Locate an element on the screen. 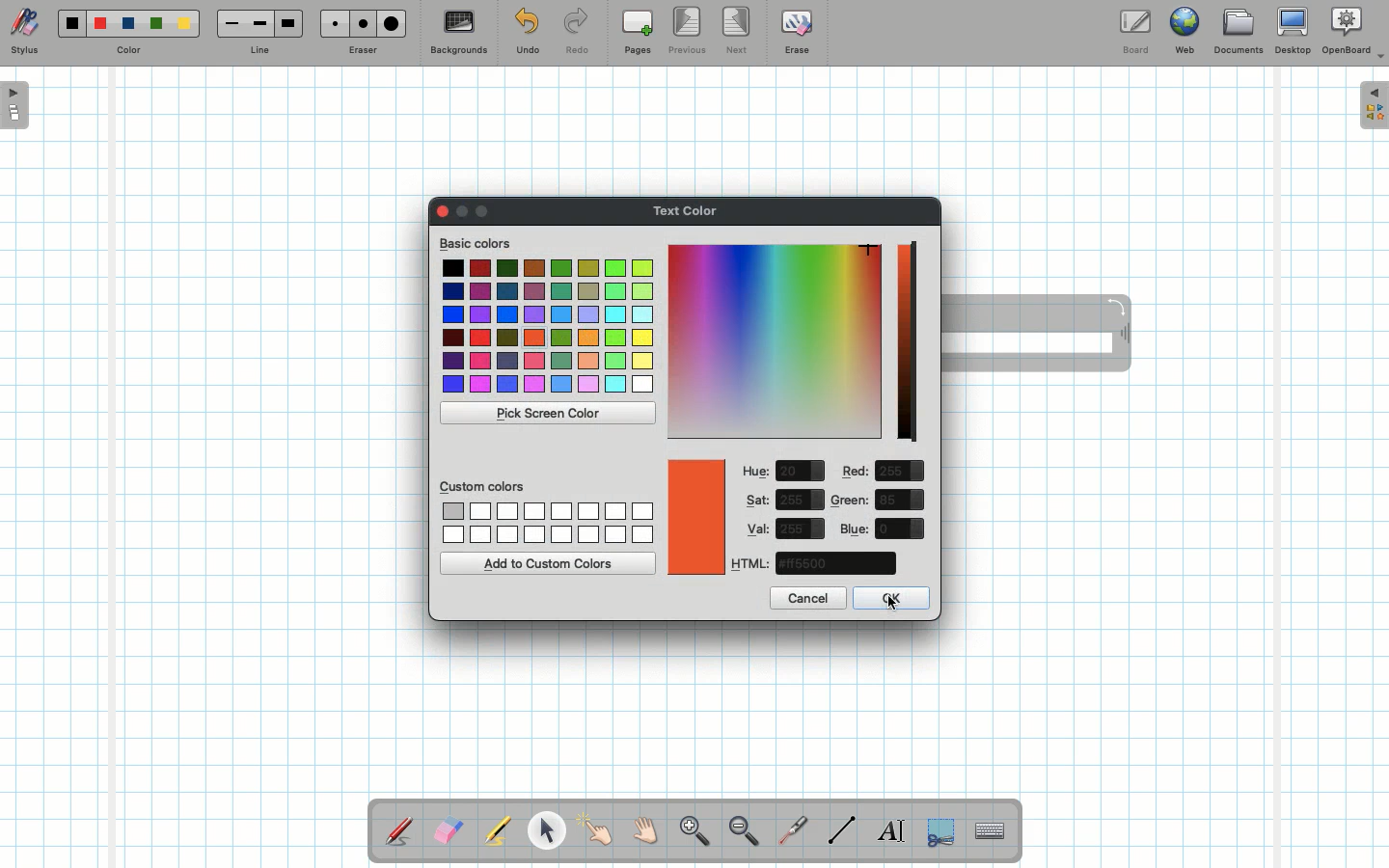 The width and height of the screenshot is (1389, 868). value is located at coordinates (901, 472).